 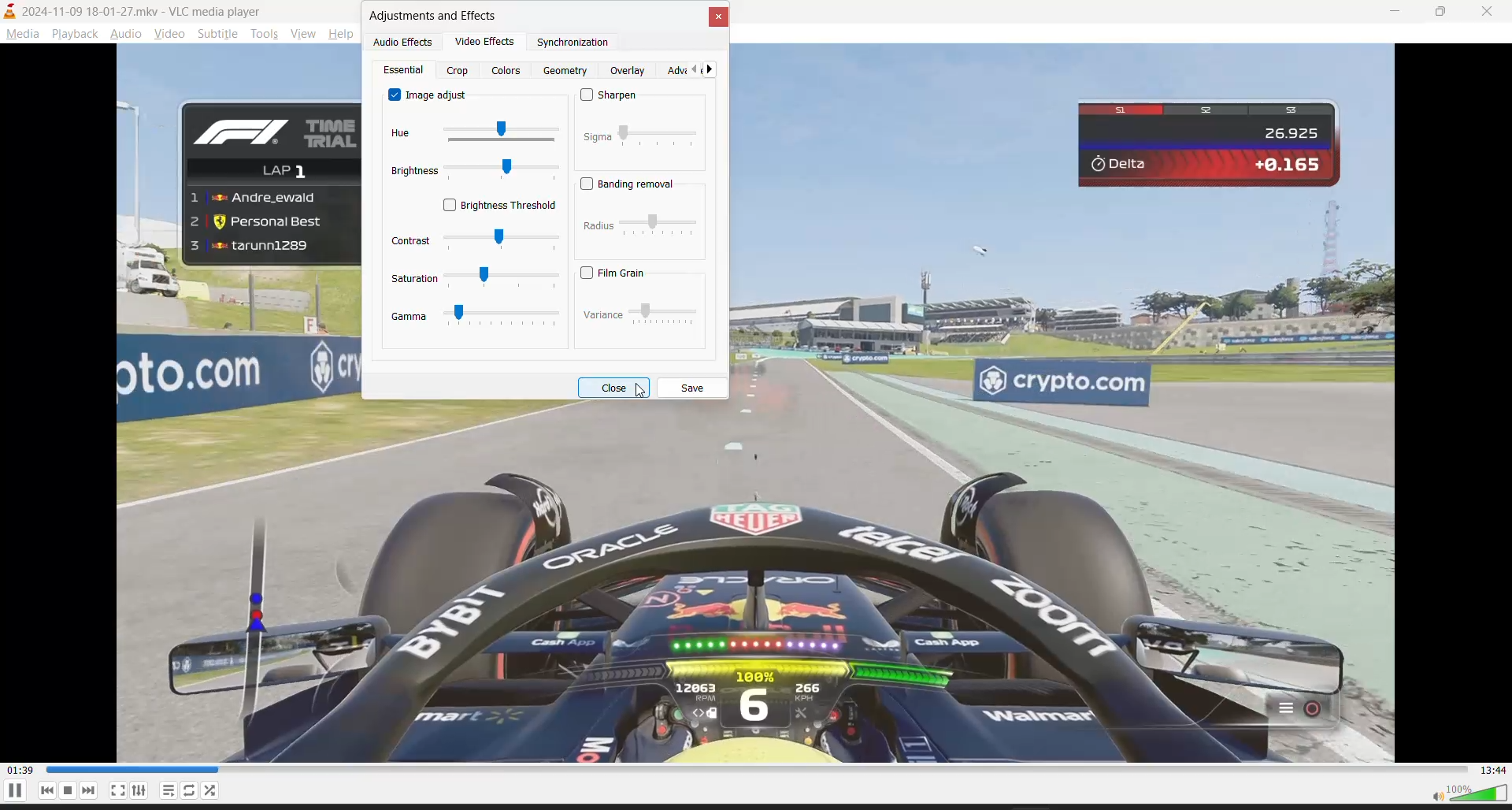 I want to click on adjustments and effects, so click(x=435, y=17).